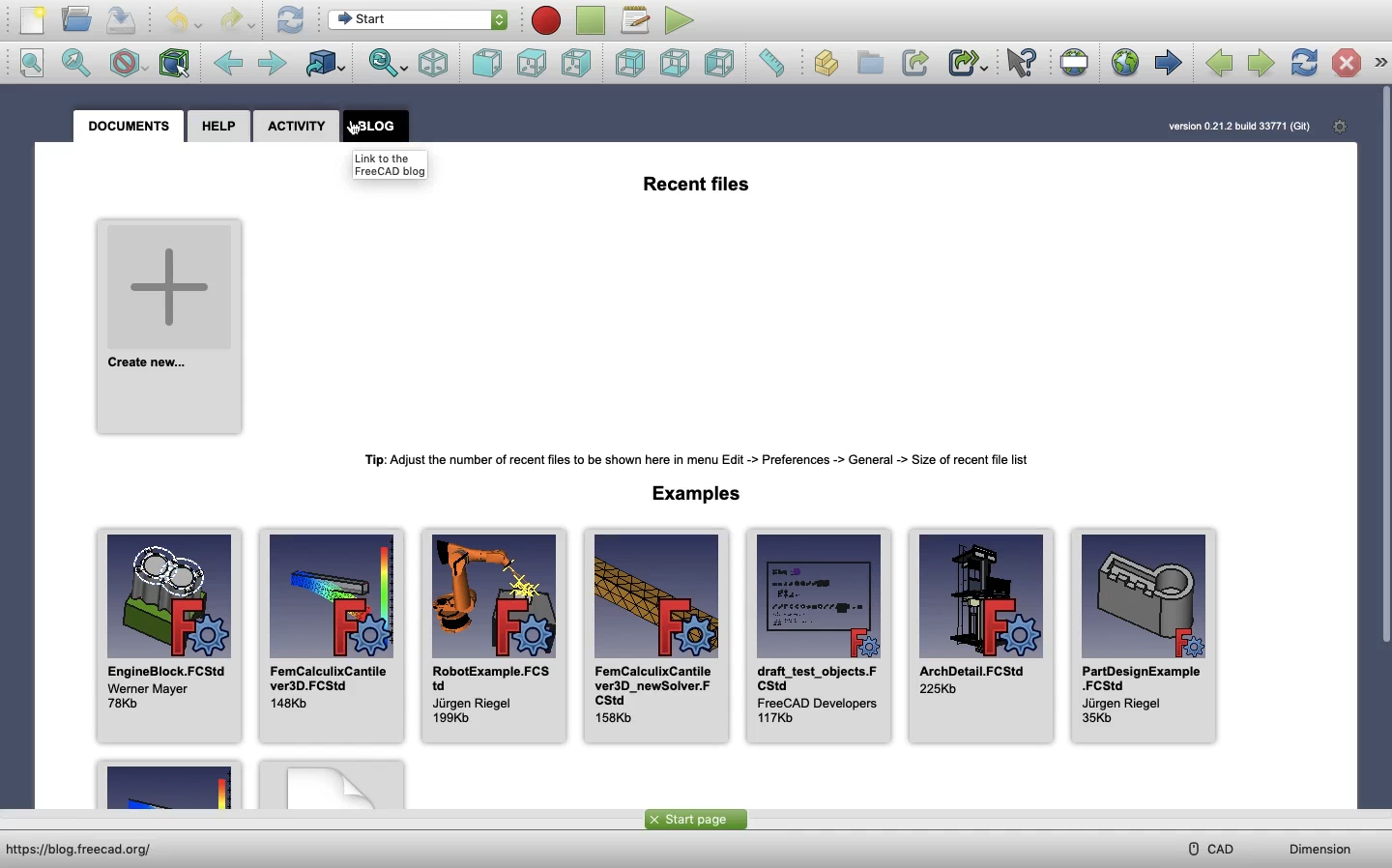 This screenshot has height=868, width=1392. I want to click on https://blog.freecad.org/, so click(90, 851).